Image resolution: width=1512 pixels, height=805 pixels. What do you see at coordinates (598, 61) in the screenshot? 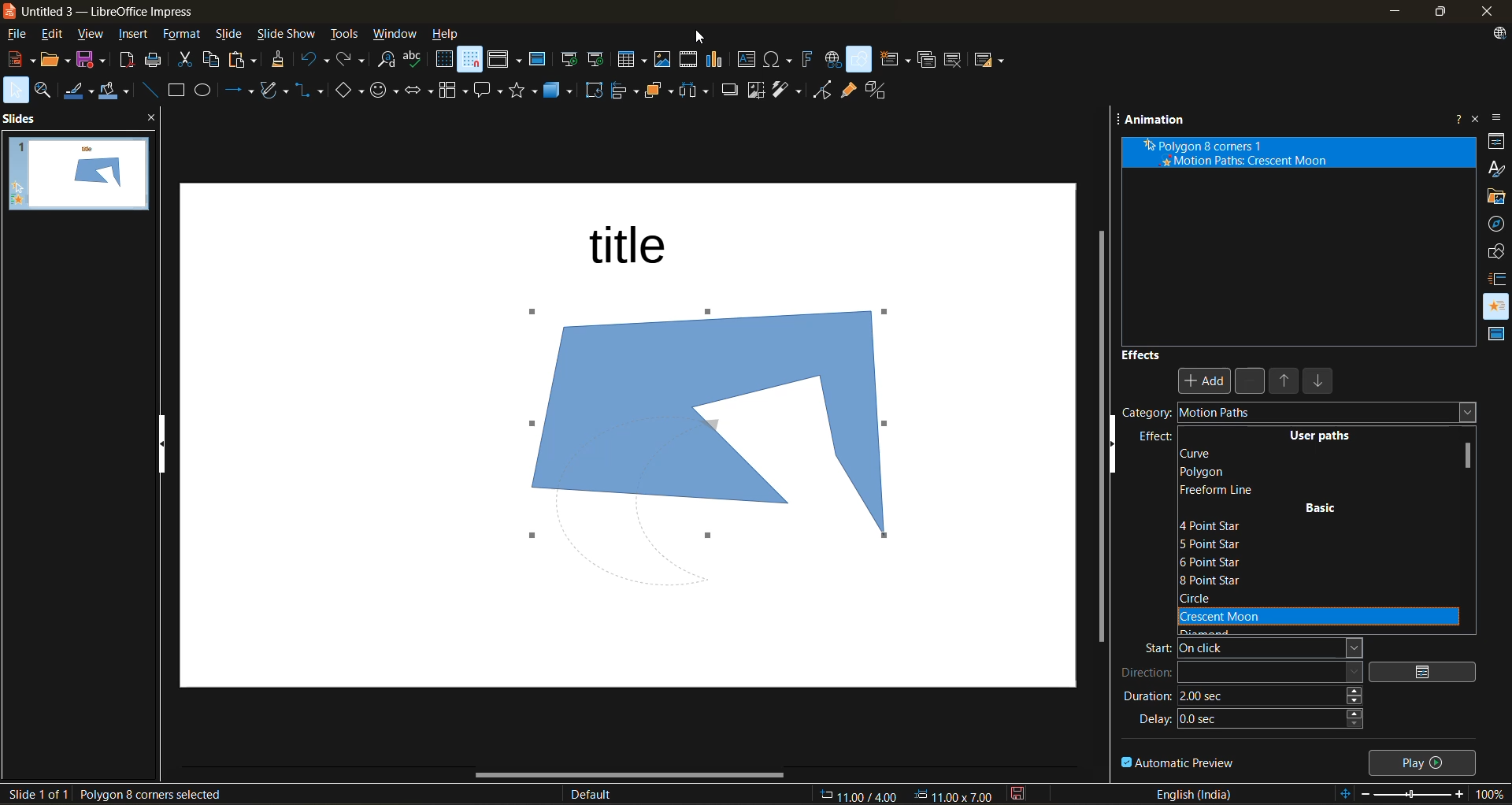
I see `start from current slide` at bounding box center [598, 61].